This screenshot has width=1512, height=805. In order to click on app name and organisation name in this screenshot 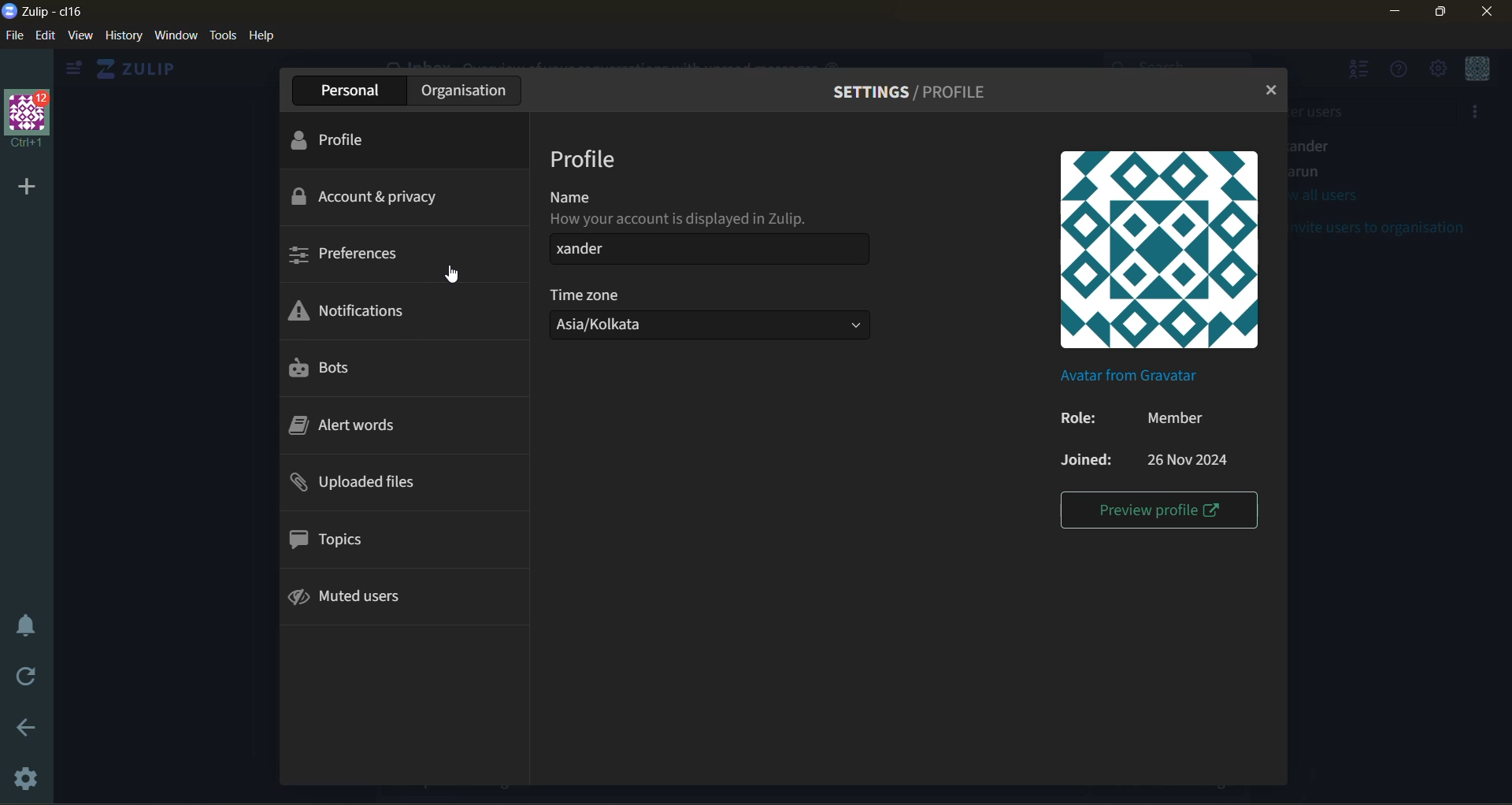, I will do `click(46, 13)`.